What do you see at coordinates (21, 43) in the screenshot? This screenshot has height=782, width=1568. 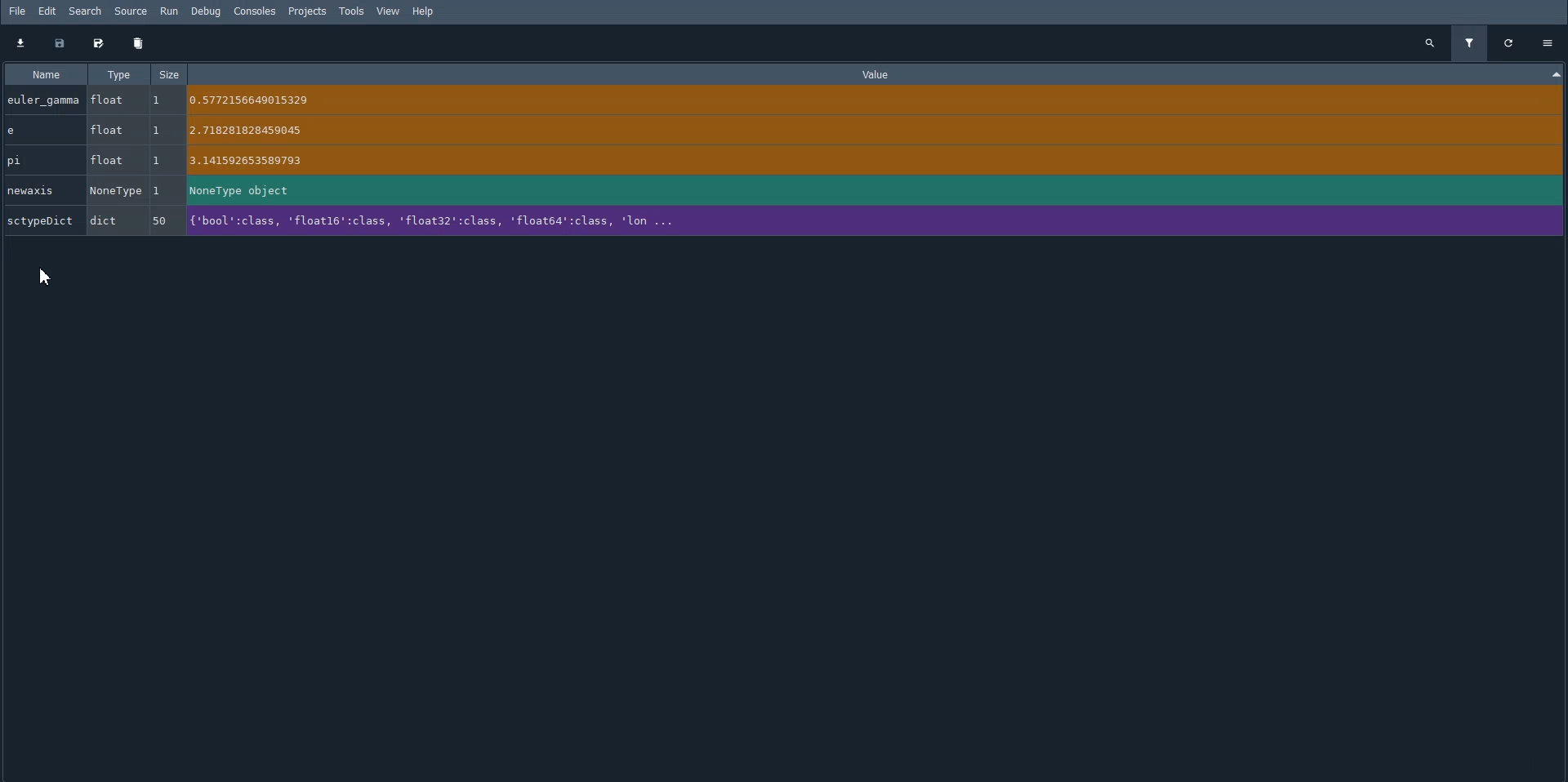 I see `Import data` at bounding box center [21, 43].